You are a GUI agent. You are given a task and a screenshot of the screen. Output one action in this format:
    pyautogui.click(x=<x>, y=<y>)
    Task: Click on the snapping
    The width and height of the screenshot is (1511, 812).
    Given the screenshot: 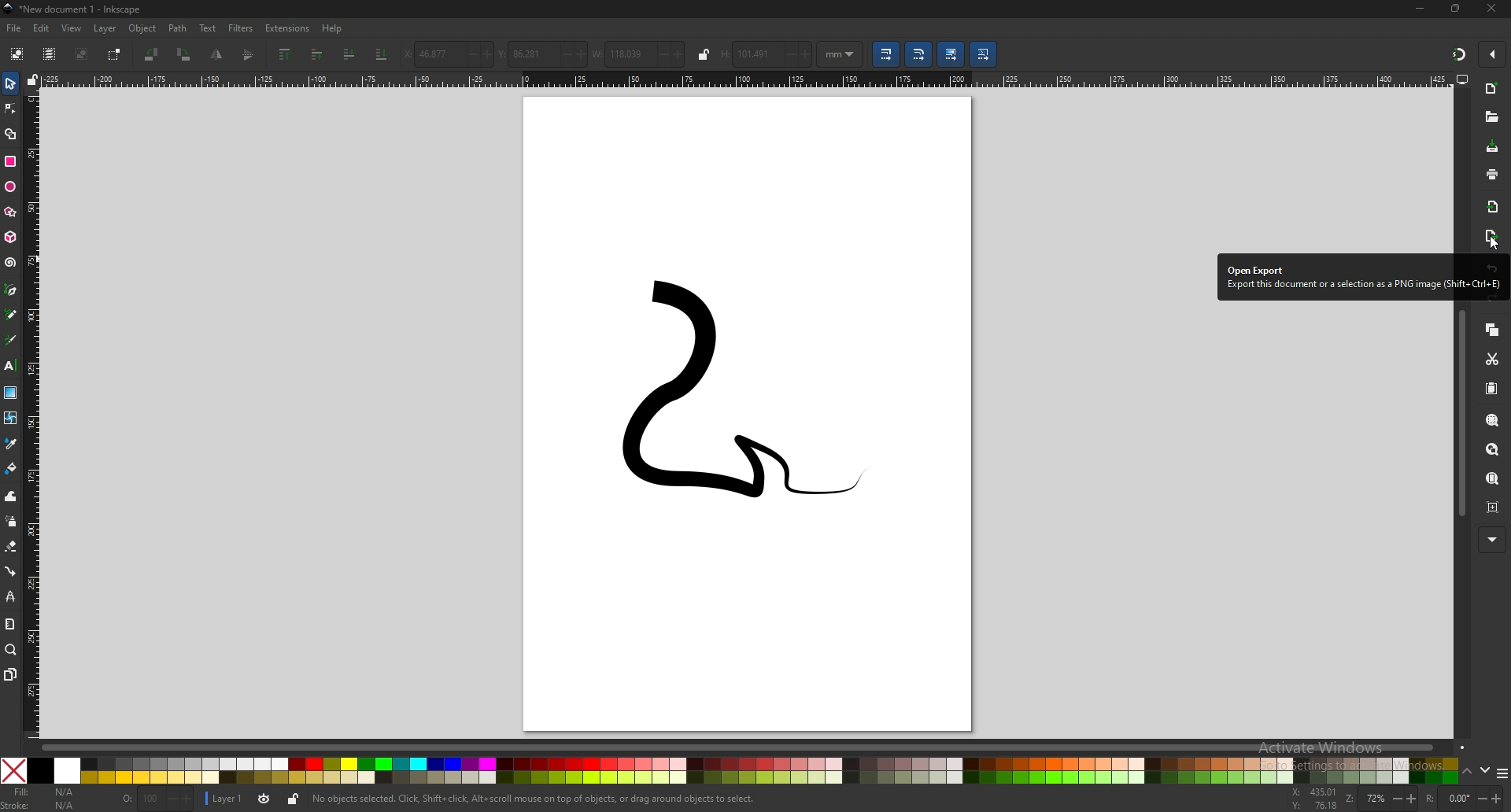 What is the action you would take?
    pyautogui.click(x=1457, y=54)
    